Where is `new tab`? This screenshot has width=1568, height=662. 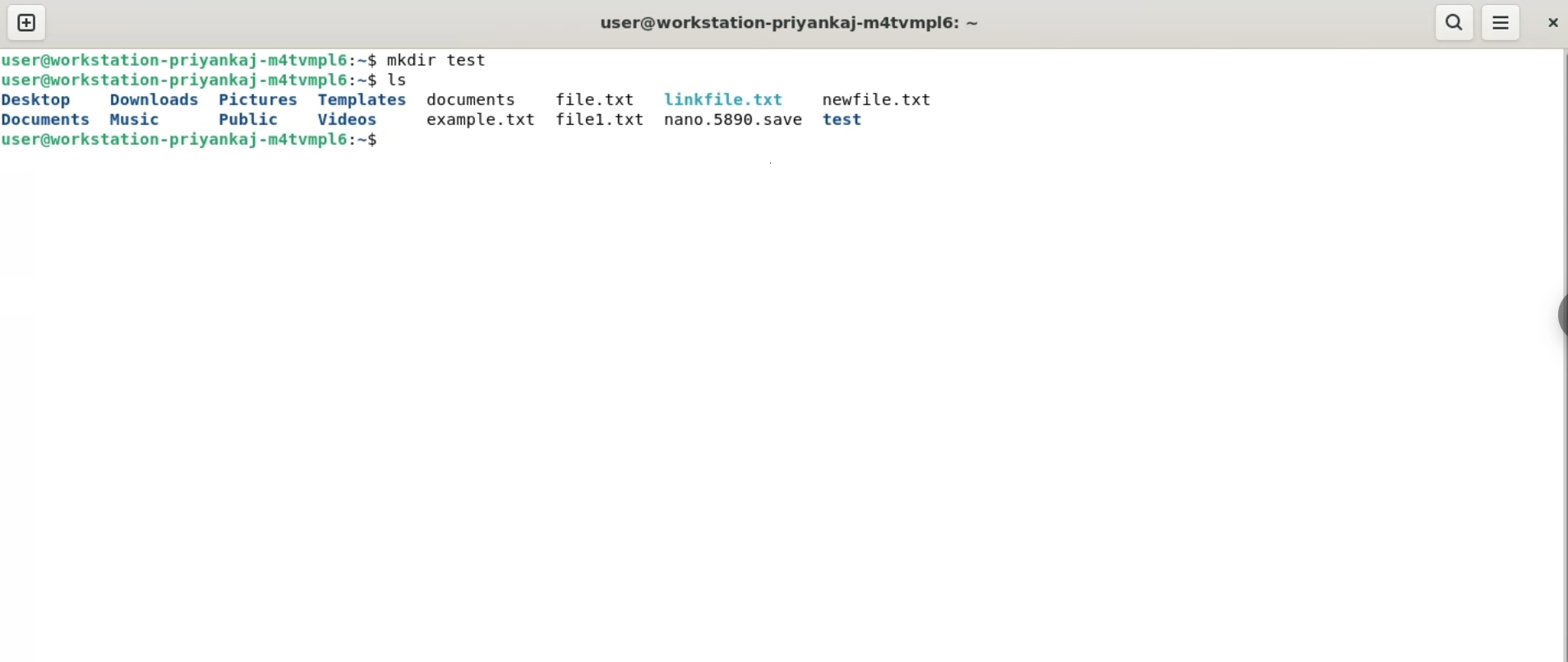 new tab is located at coordinates (26, 24).